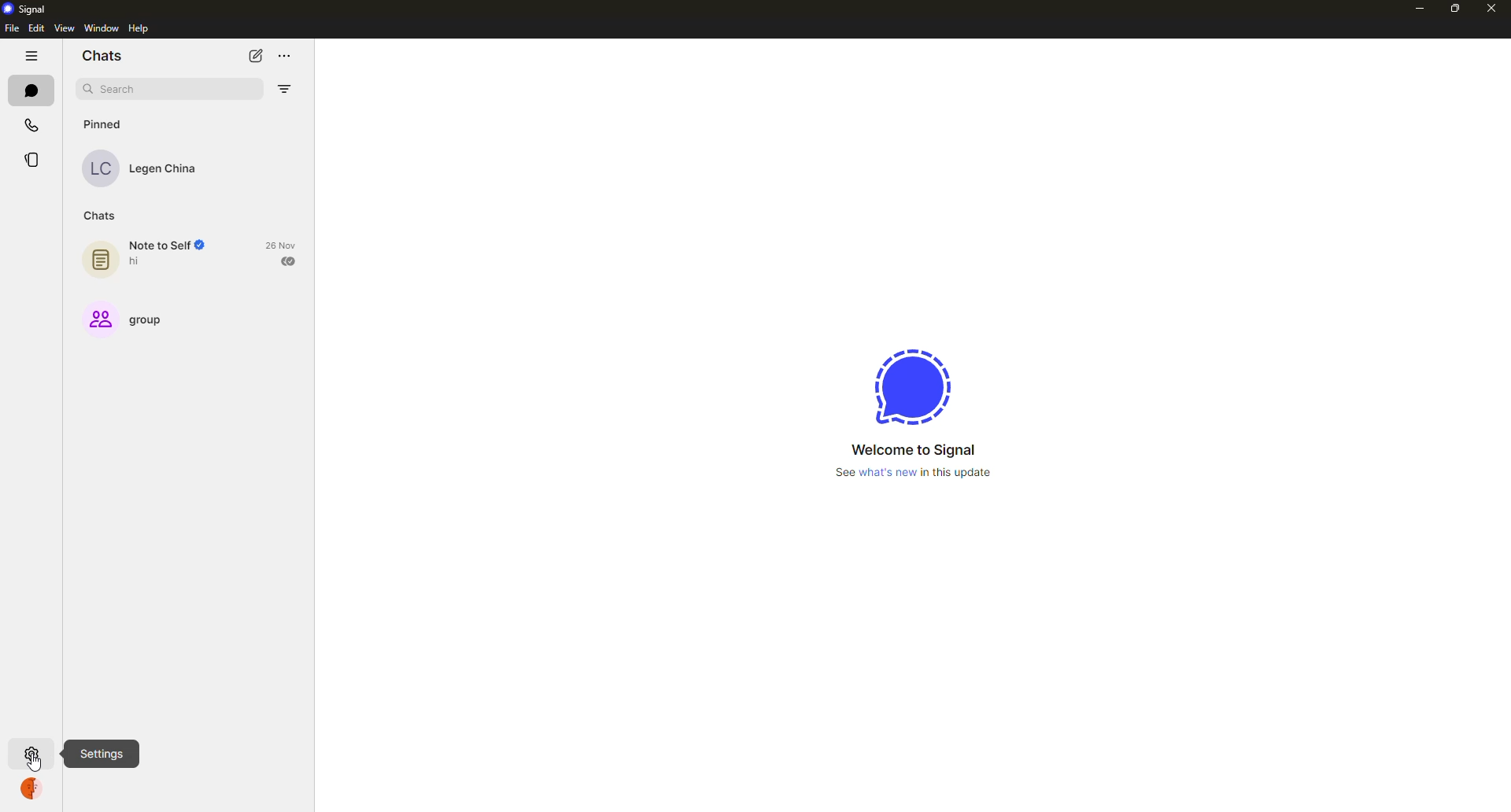 This screenshot has height=812, width=1511. Describe the element at coordinates (31, 789) in the screenshot. I see `profile` at that location.